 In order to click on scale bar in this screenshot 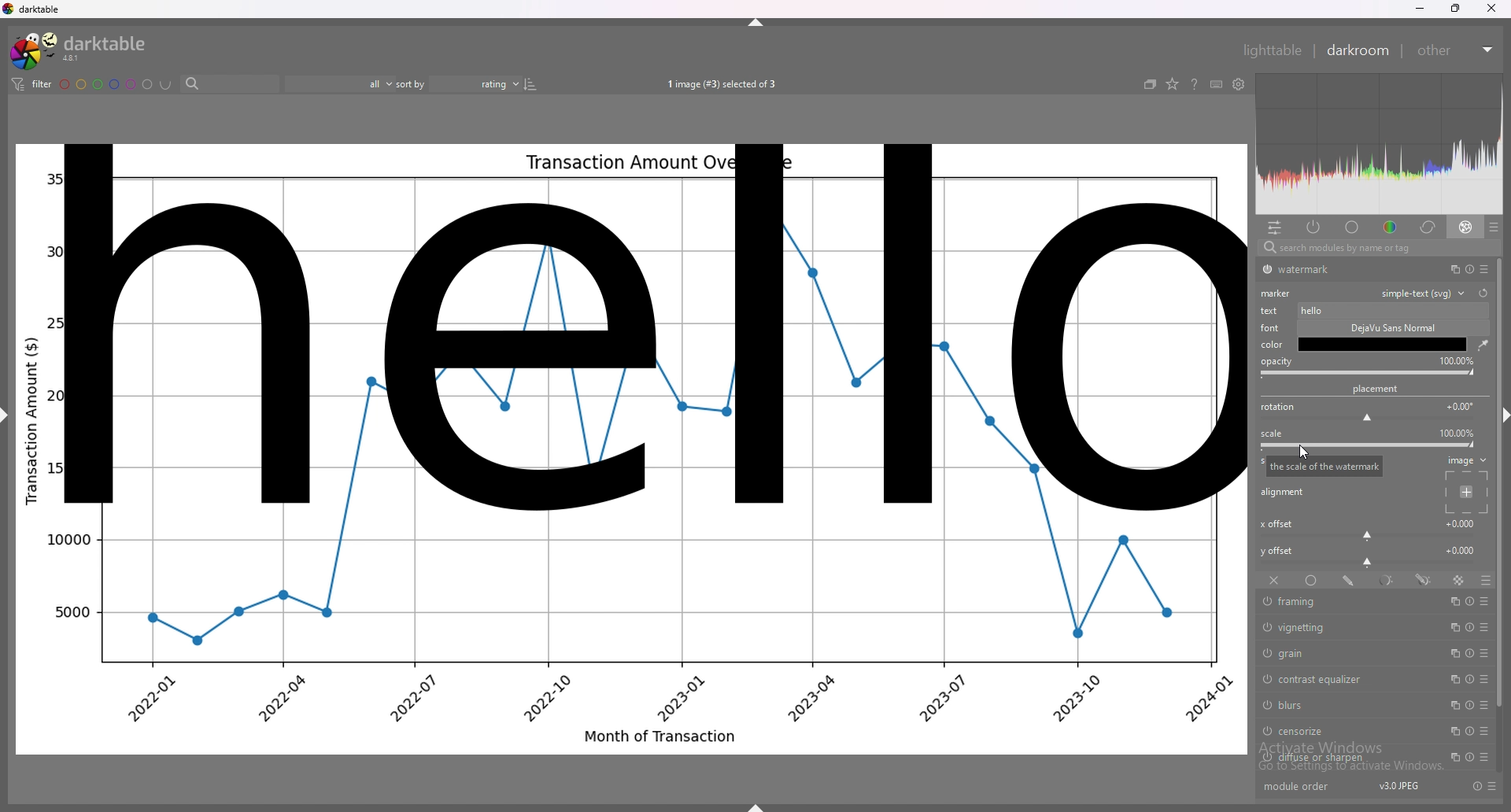, I will do `click(1369, 445)`.